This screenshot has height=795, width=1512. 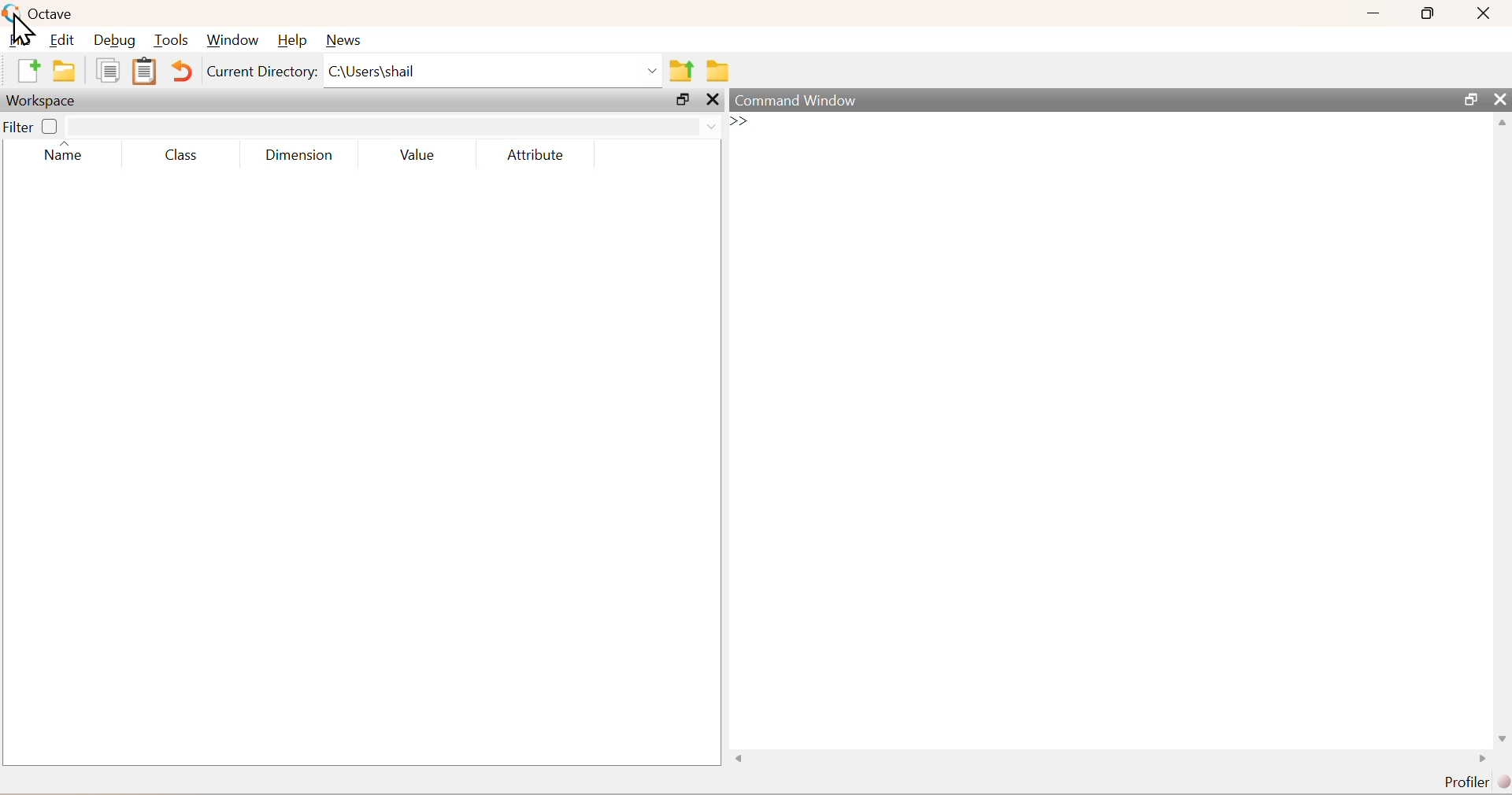 I want to click on folder, so click(x=64, y=70).